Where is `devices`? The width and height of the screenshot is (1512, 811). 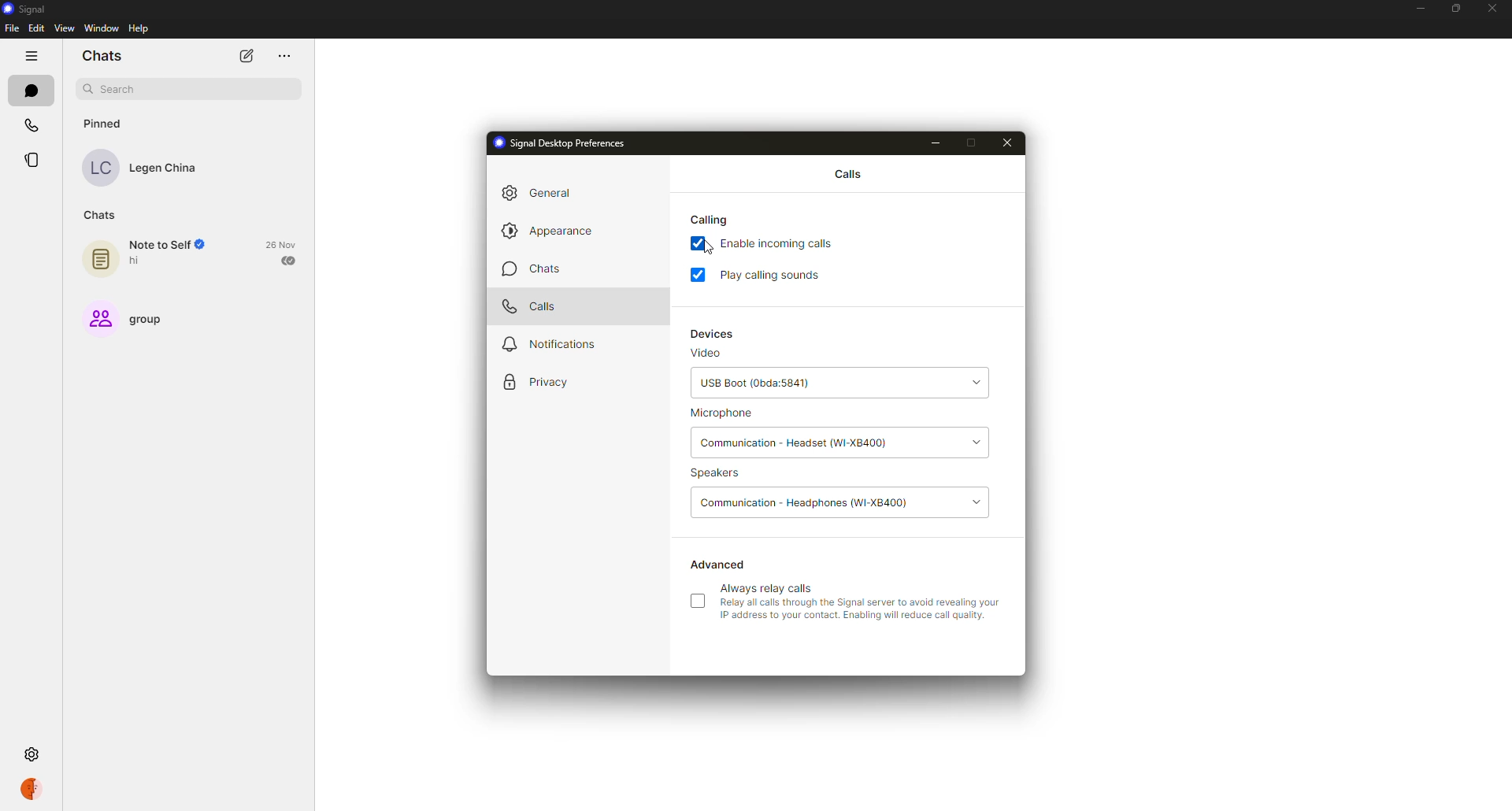
devices is located at coordinates (719, 332).